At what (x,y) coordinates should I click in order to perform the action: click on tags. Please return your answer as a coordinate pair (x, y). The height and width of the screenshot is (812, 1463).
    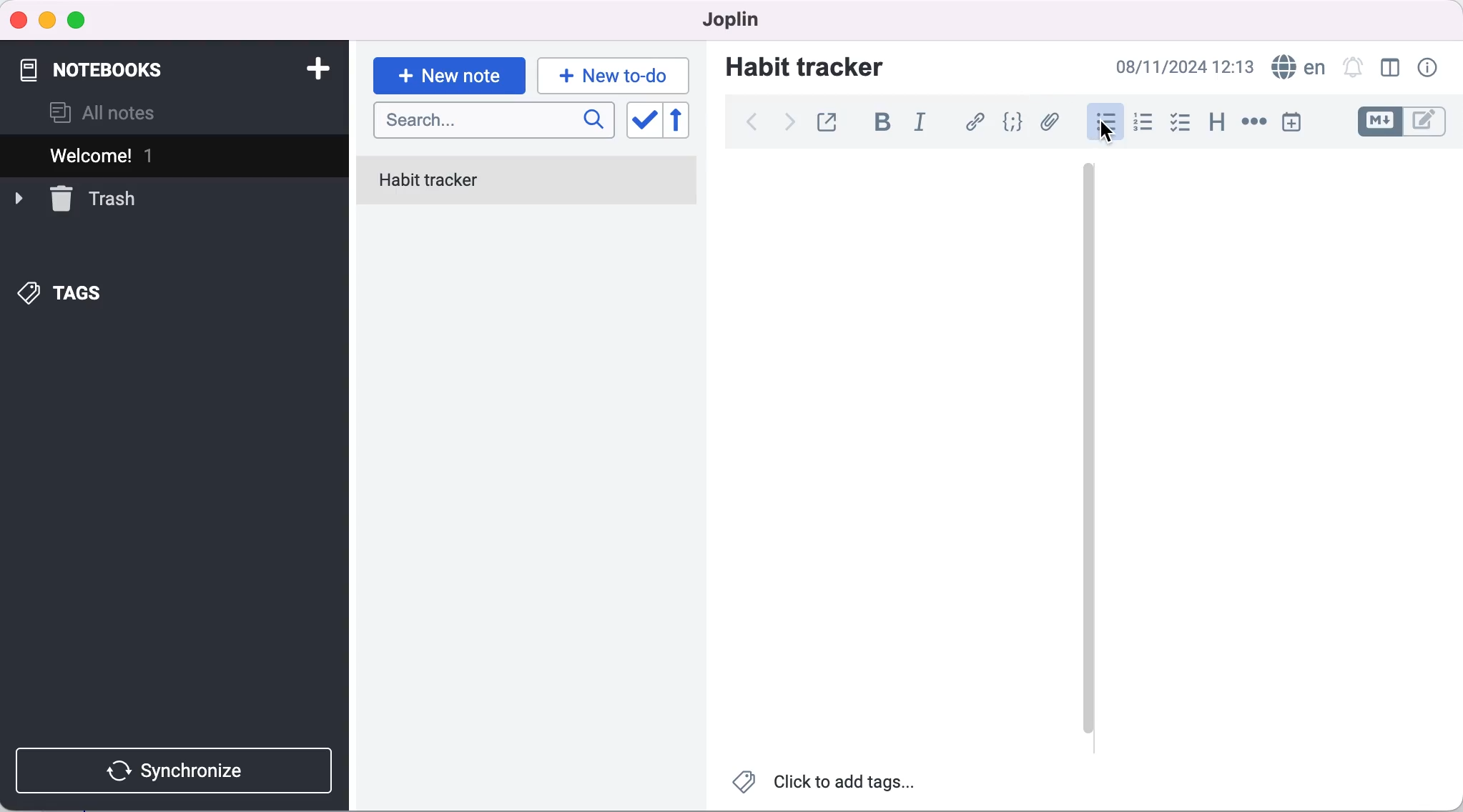
    Looking at the image, I should click on (62, 294).